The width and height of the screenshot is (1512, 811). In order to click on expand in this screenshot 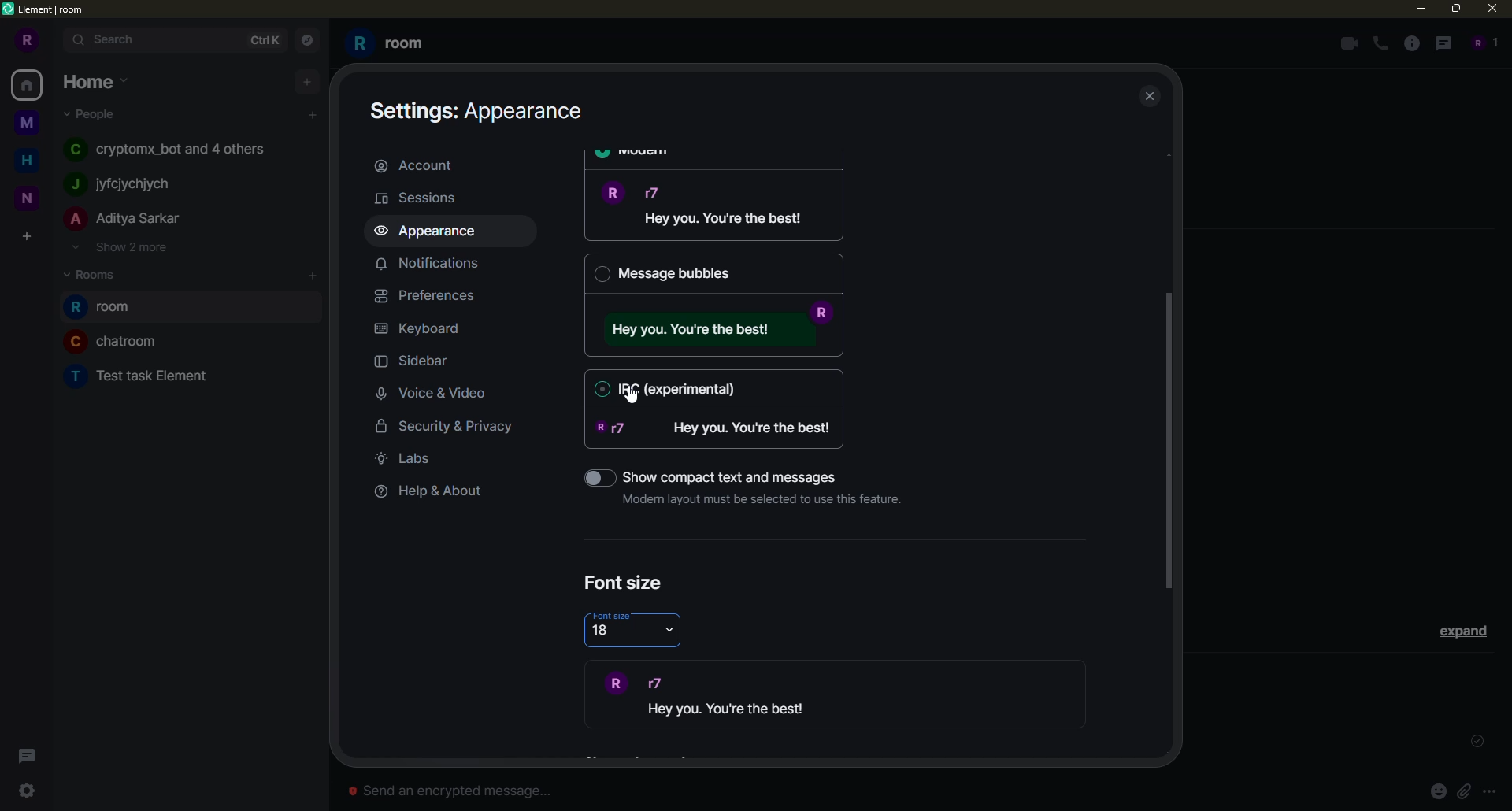, I will do `click(1466, 640)`.